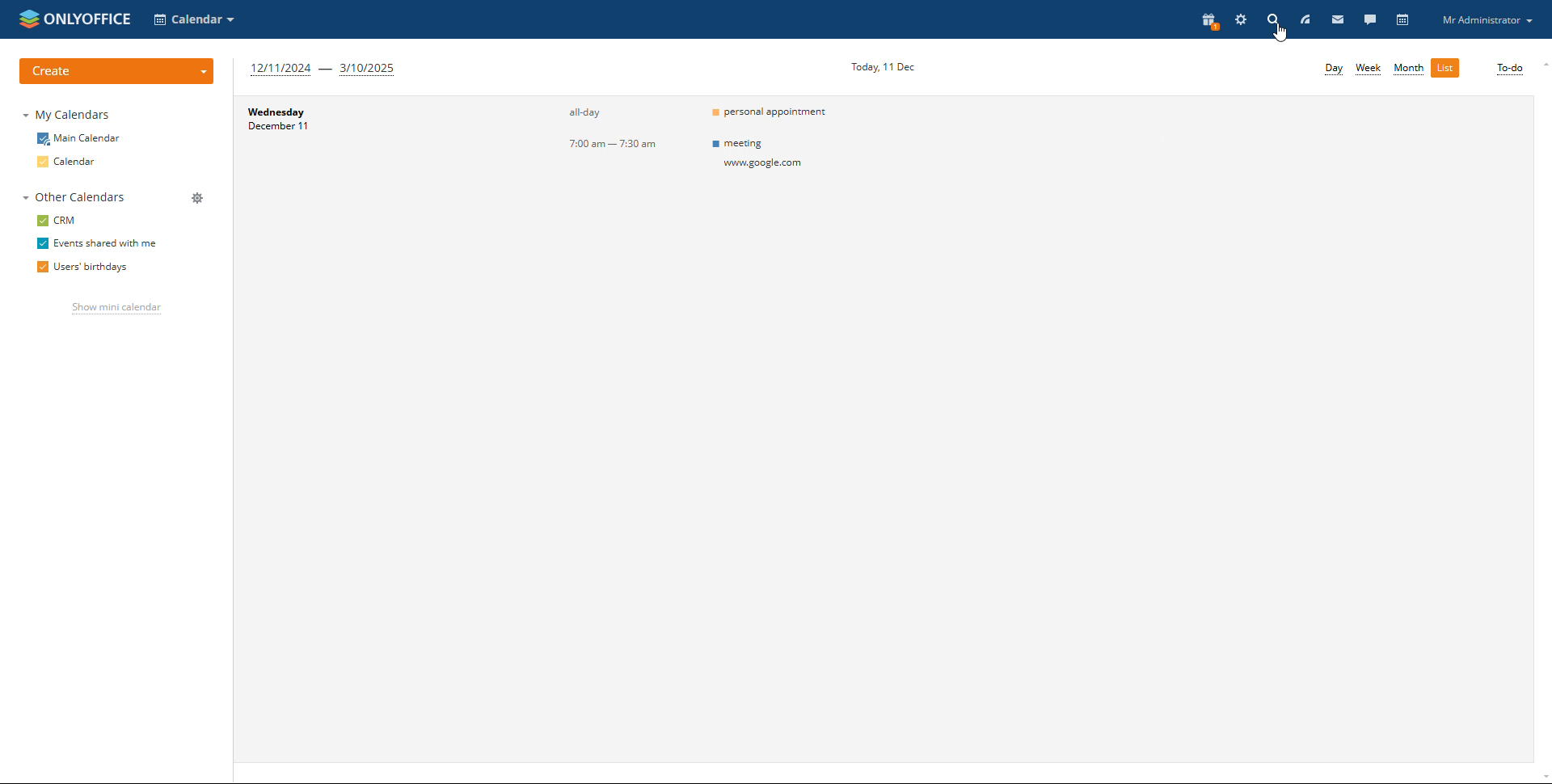  Describe the element at coordinates (1486, 19) in the screenshot. I see `profile` at that location.